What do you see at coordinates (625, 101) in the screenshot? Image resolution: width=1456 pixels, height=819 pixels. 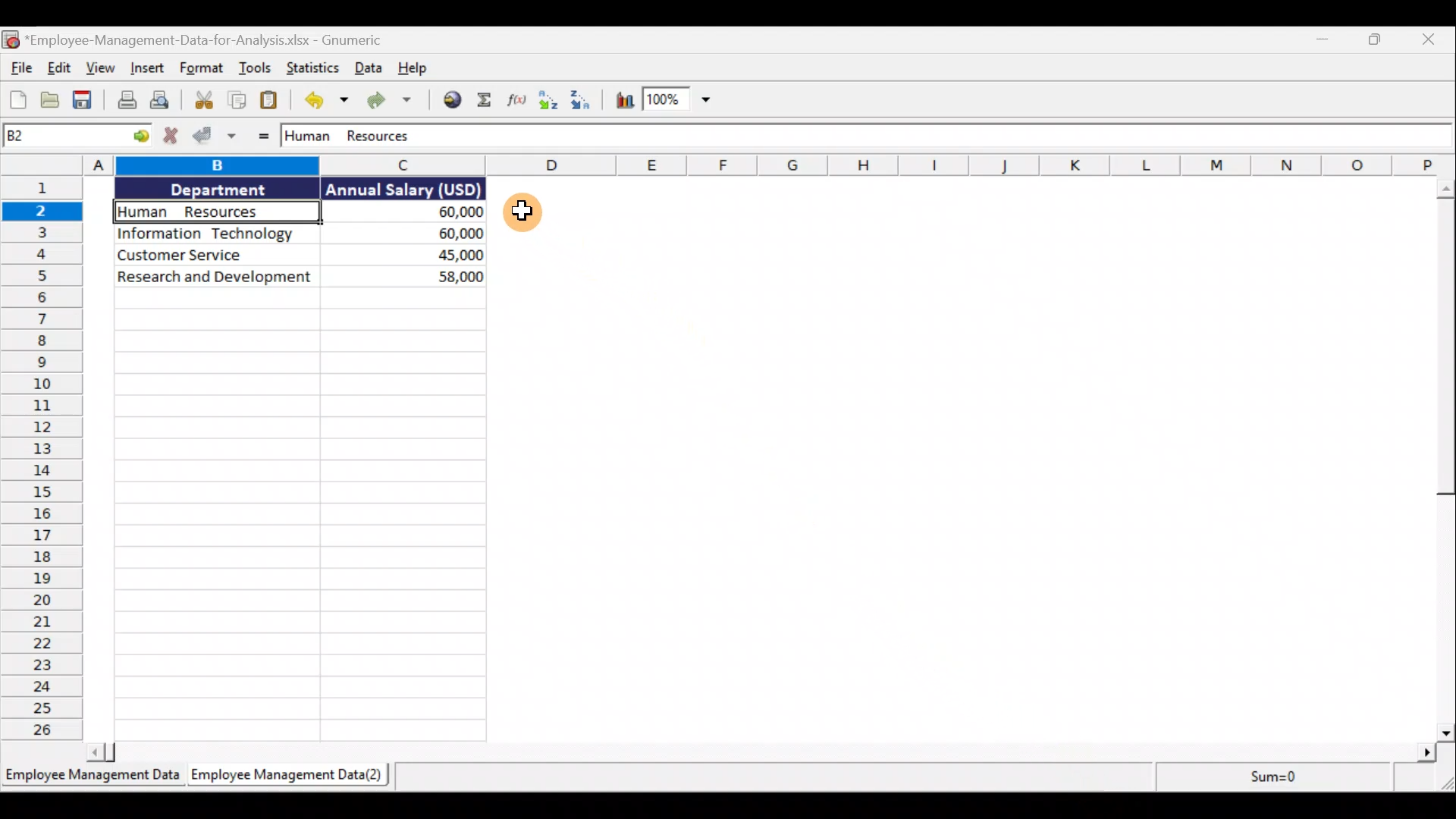 I see `Insert a chart` at bounding box center [625, 101].